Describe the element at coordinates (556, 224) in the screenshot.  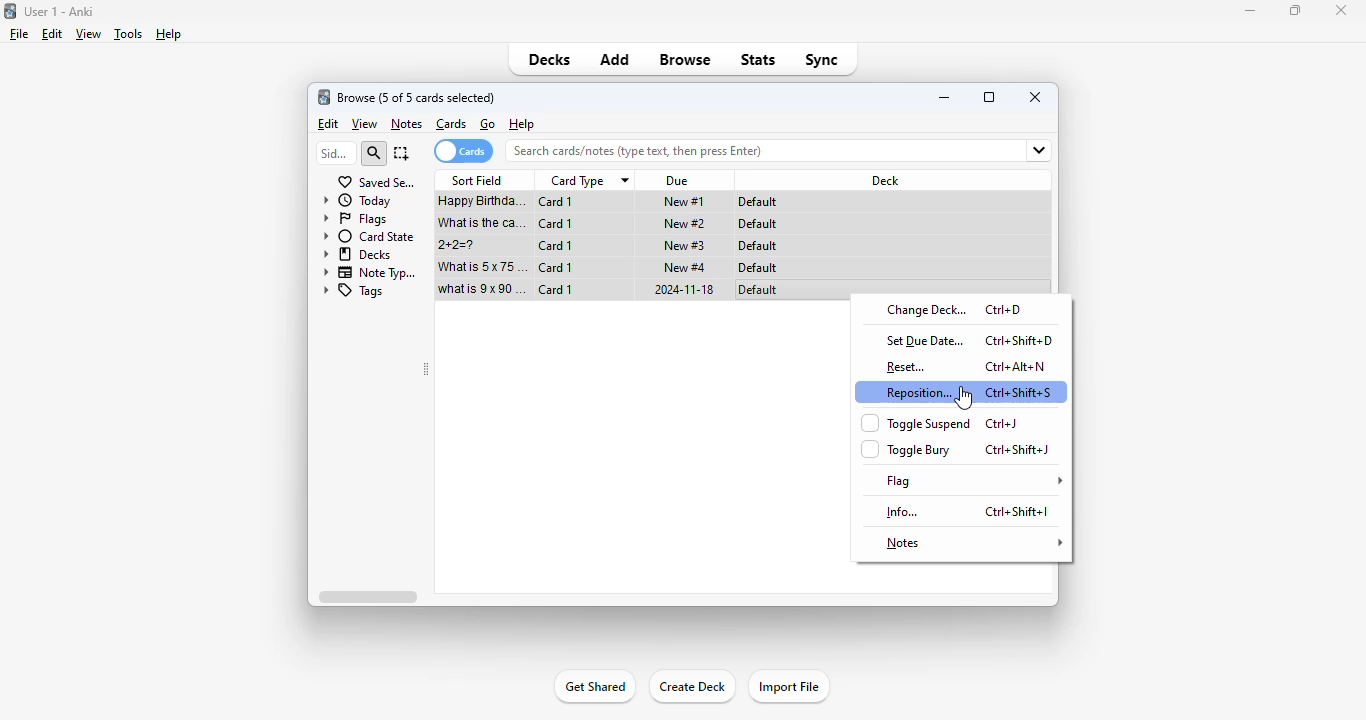
I see `card 1` at that location.